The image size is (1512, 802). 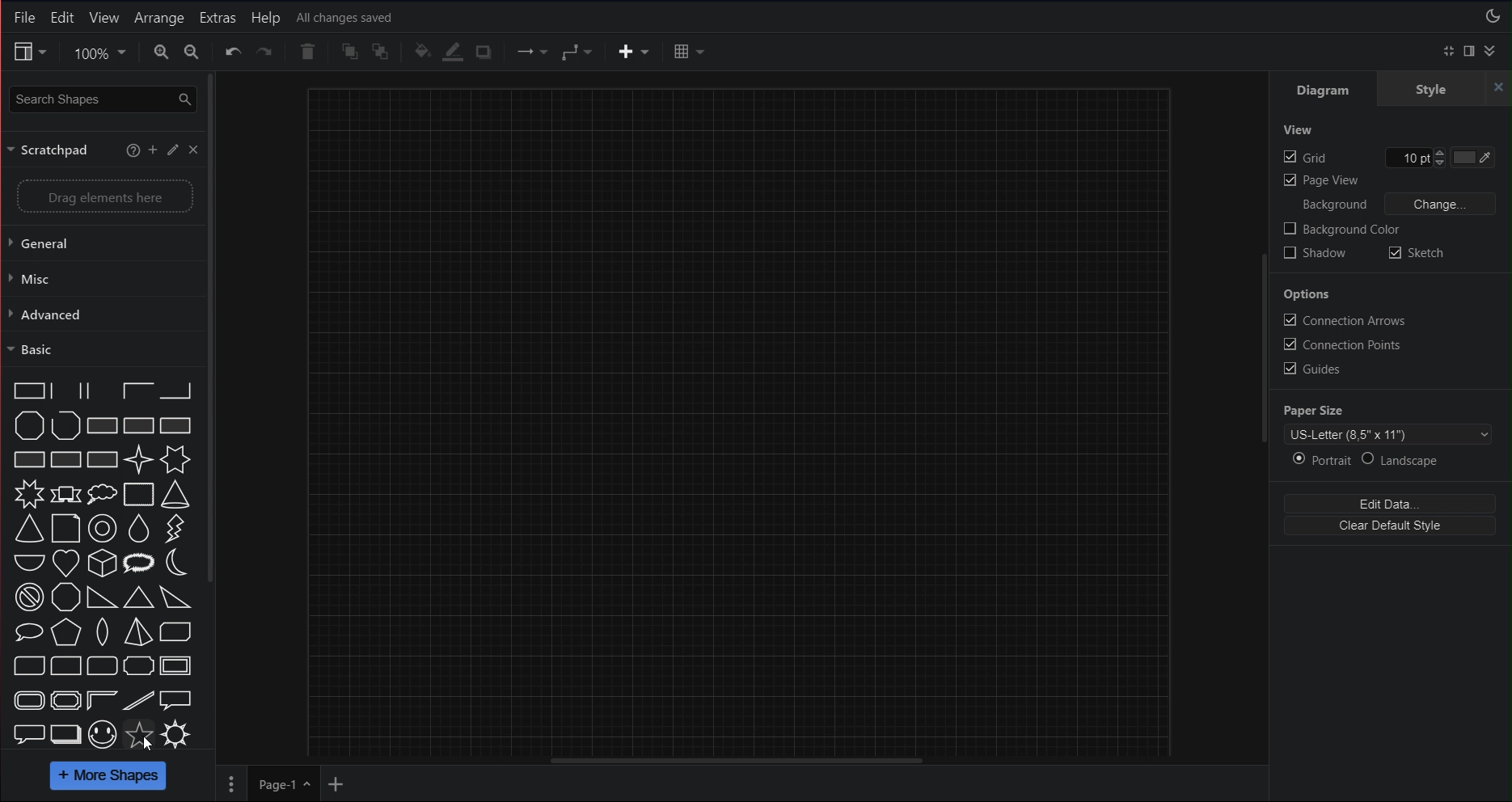 What do you see at coordinates (65, 632) in the screenshot?
I see `pentagon` at bounding box center [65, 632].